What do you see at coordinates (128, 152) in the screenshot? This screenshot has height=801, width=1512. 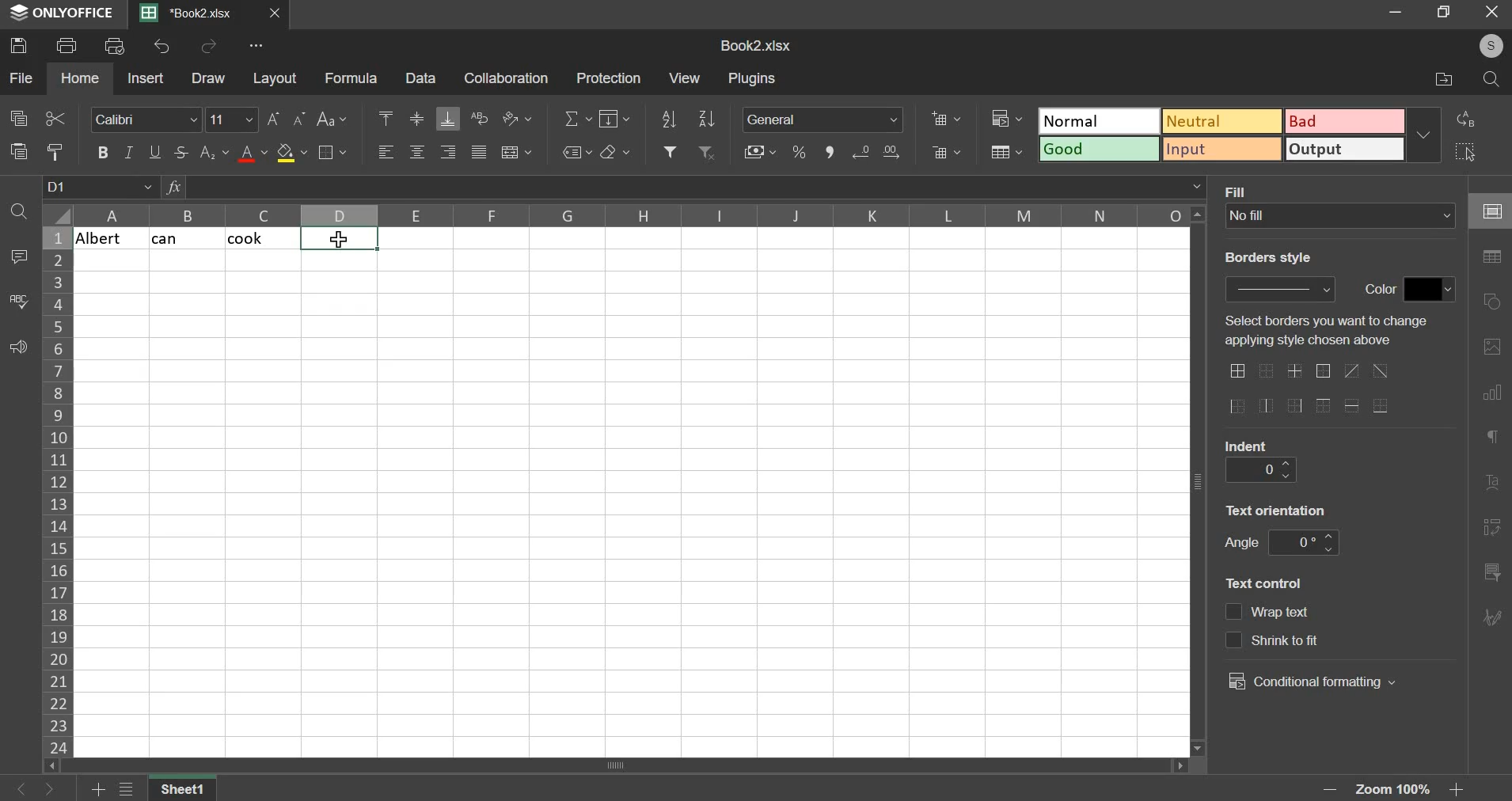 I see `italic` at bounding box center [128, 152].